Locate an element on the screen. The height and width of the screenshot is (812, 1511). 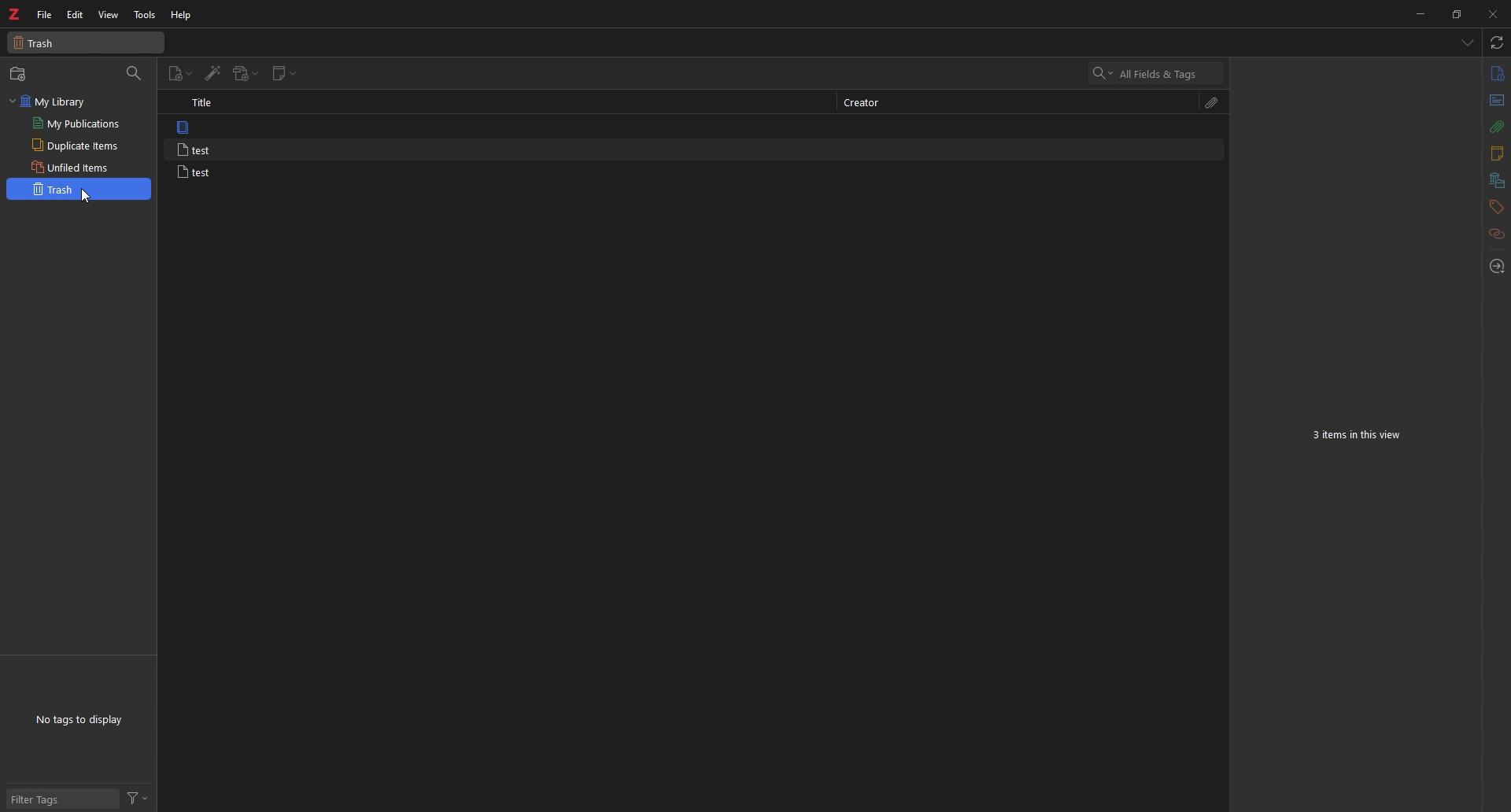
new note is located at coordinates (286, 73).